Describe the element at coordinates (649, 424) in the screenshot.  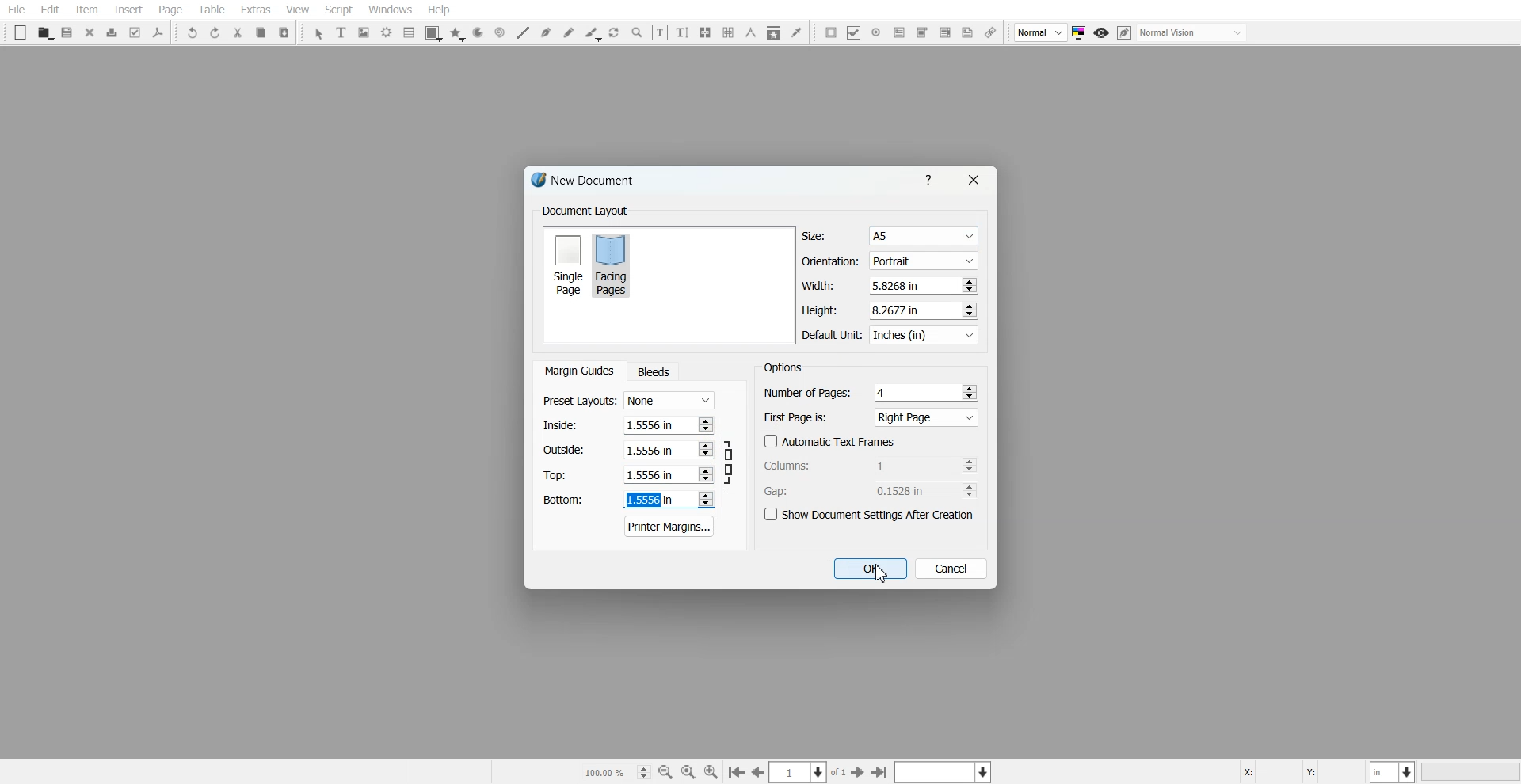
I see `1.5556 in` at that location.